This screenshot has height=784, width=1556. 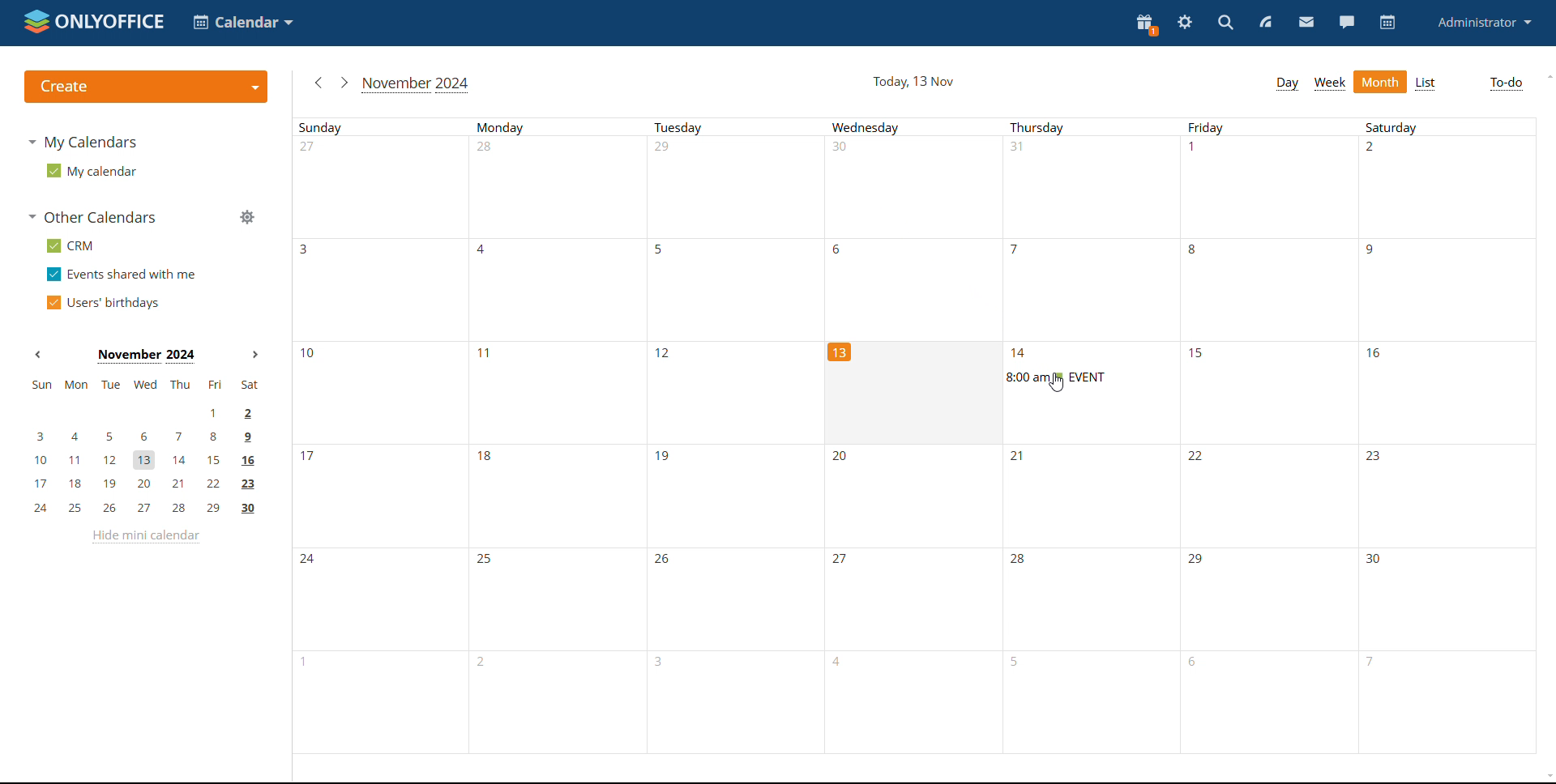 What do you see at coordinates (139, 436) in the screenshot?
I see `3, 4, 5, 6, 7, 8, 9` at bounding box center [139, 436].